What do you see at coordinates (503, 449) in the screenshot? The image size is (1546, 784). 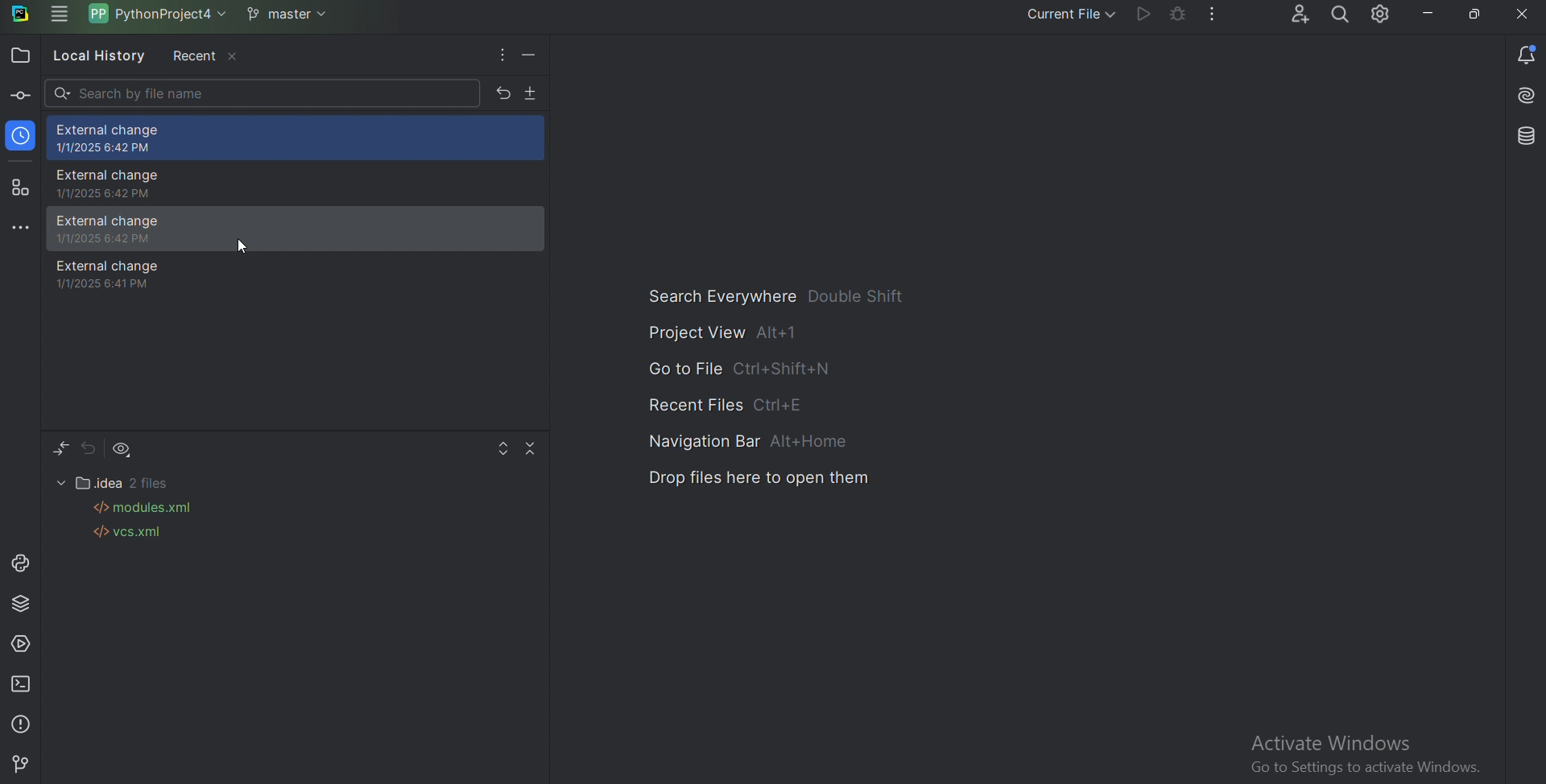 I see `Expand All` at bounding box center [503, 449].